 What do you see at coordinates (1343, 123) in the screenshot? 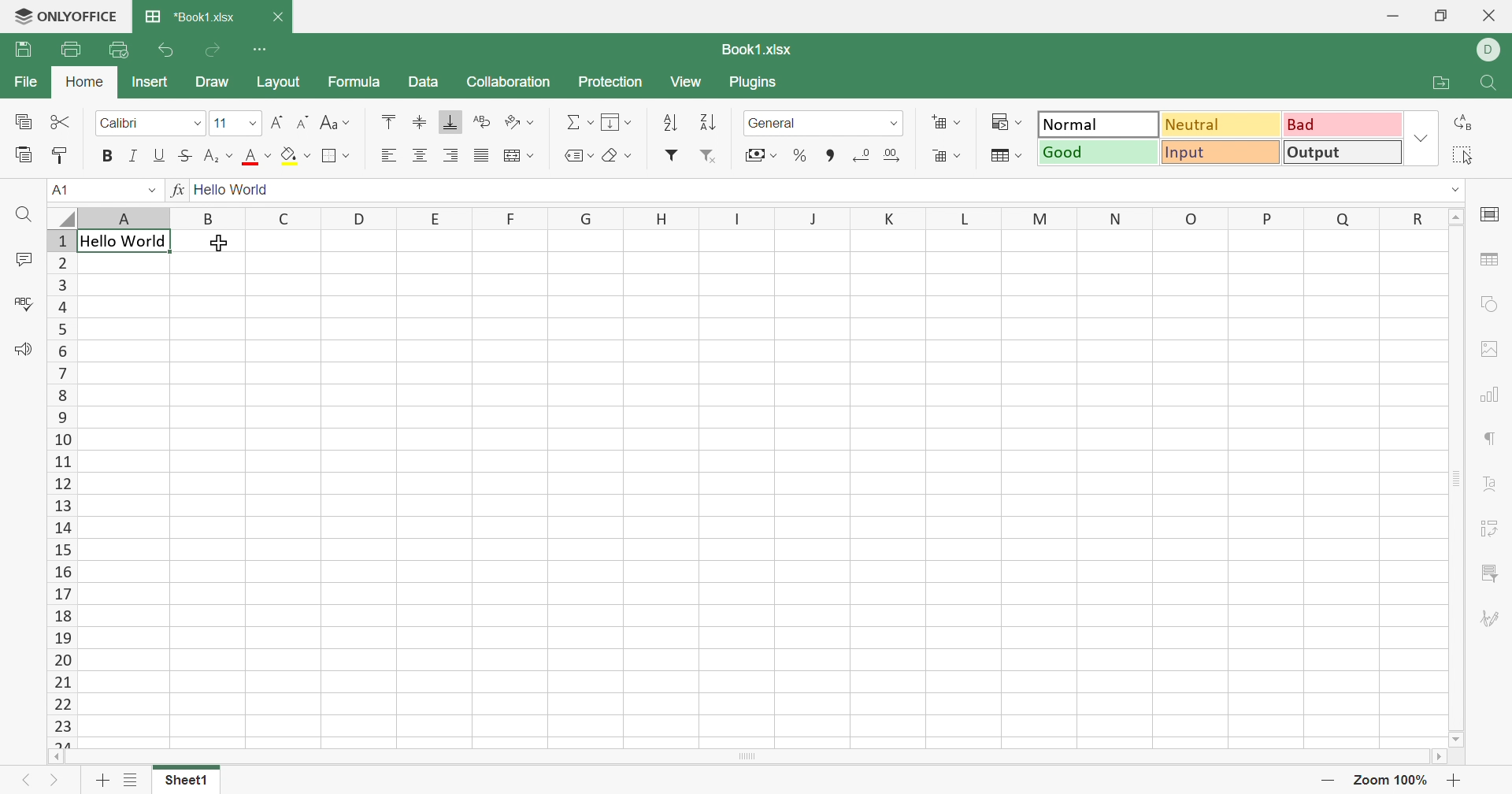
I see `Bad` at bounding box center [1343, 123].